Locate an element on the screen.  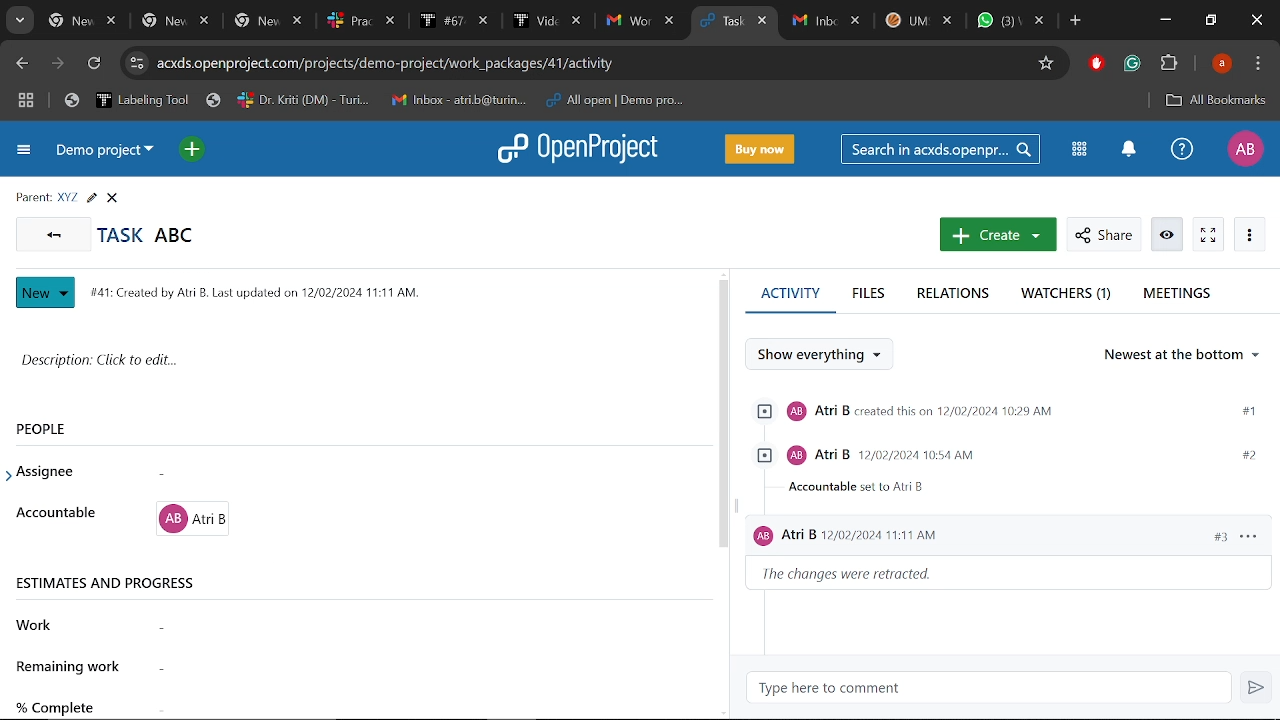
Current site address is located at coordinates (592, 63).